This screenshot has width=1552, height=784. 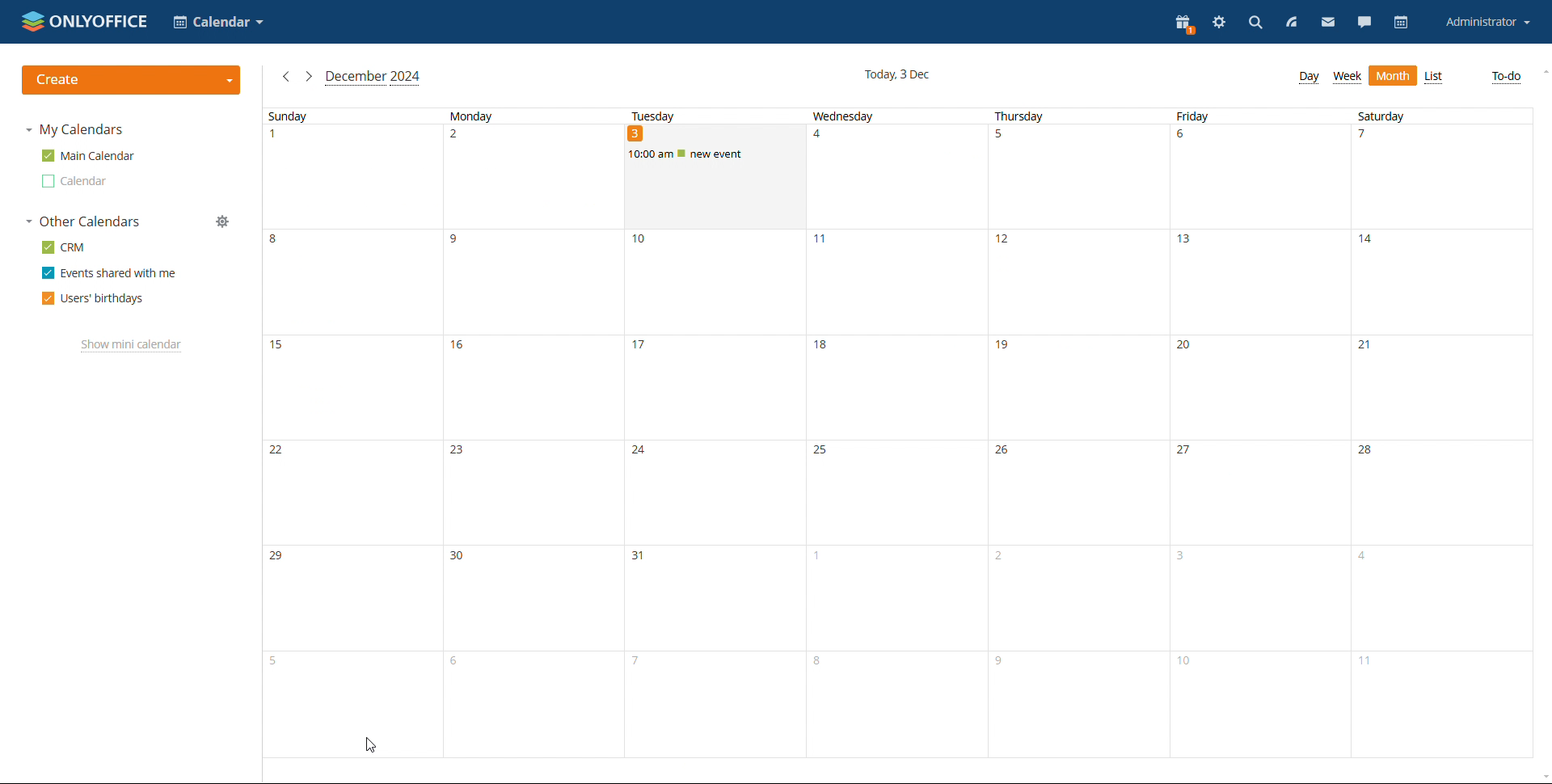 I want to click on 11, so click(x=895, y=283).